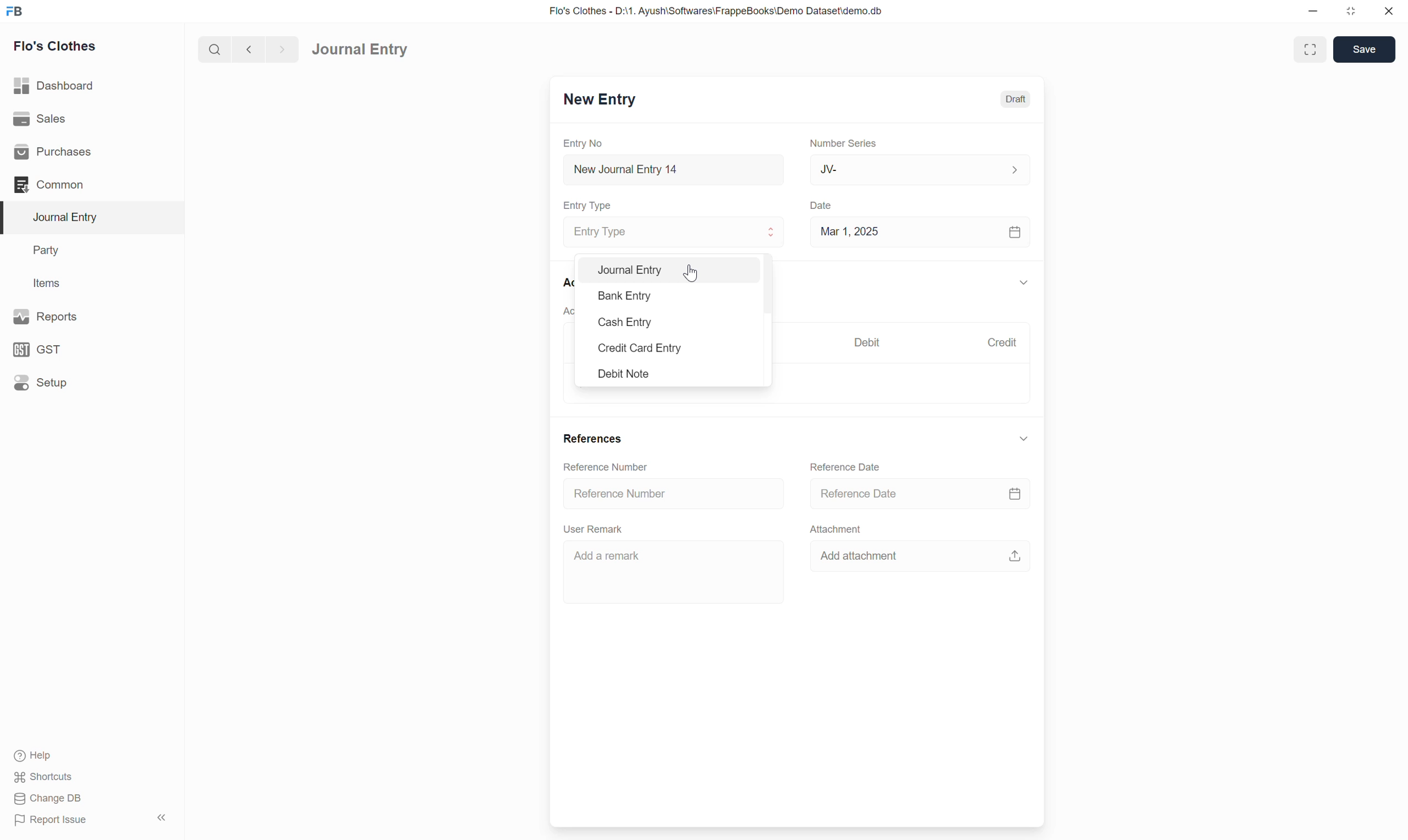  Describe the element at coordinates (70, 217) in the screenshot. I see `Journal Entry` at that location.